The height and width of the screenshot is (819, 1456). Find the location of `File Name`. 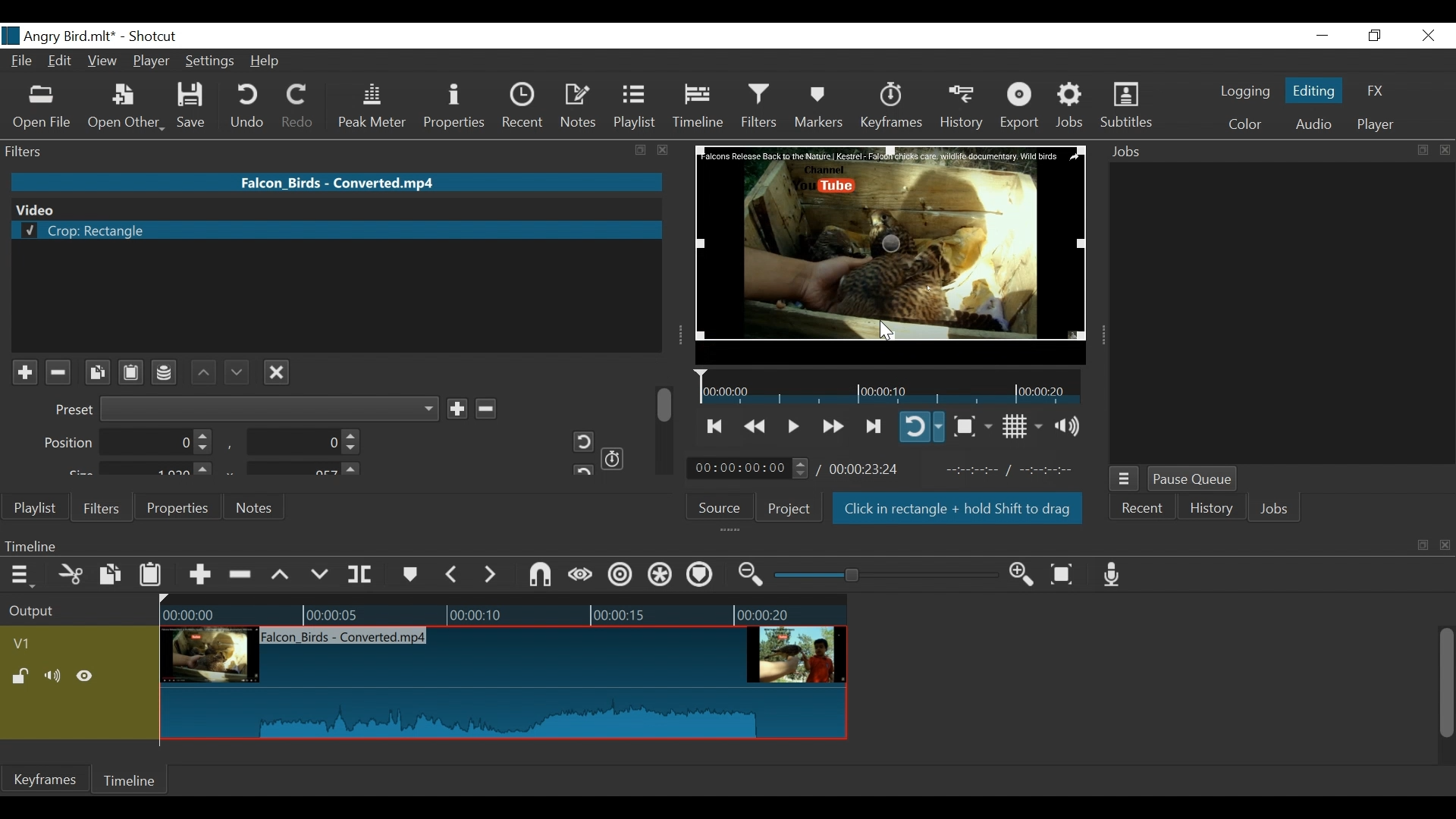

File Name is located at coordinates (24, 63).